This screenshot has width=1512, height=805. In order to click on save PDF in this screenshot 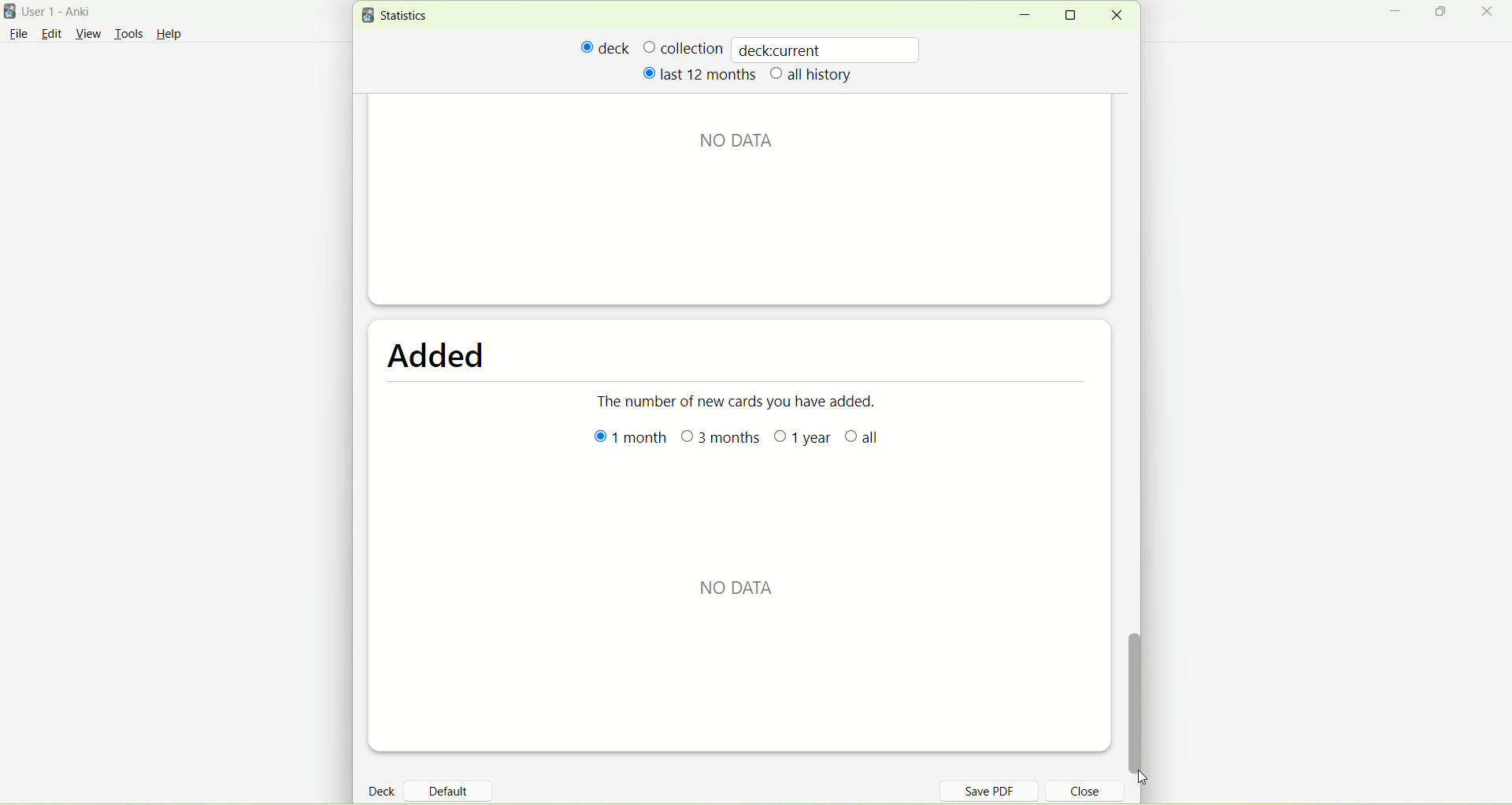, I will do `click(999, 790)`.